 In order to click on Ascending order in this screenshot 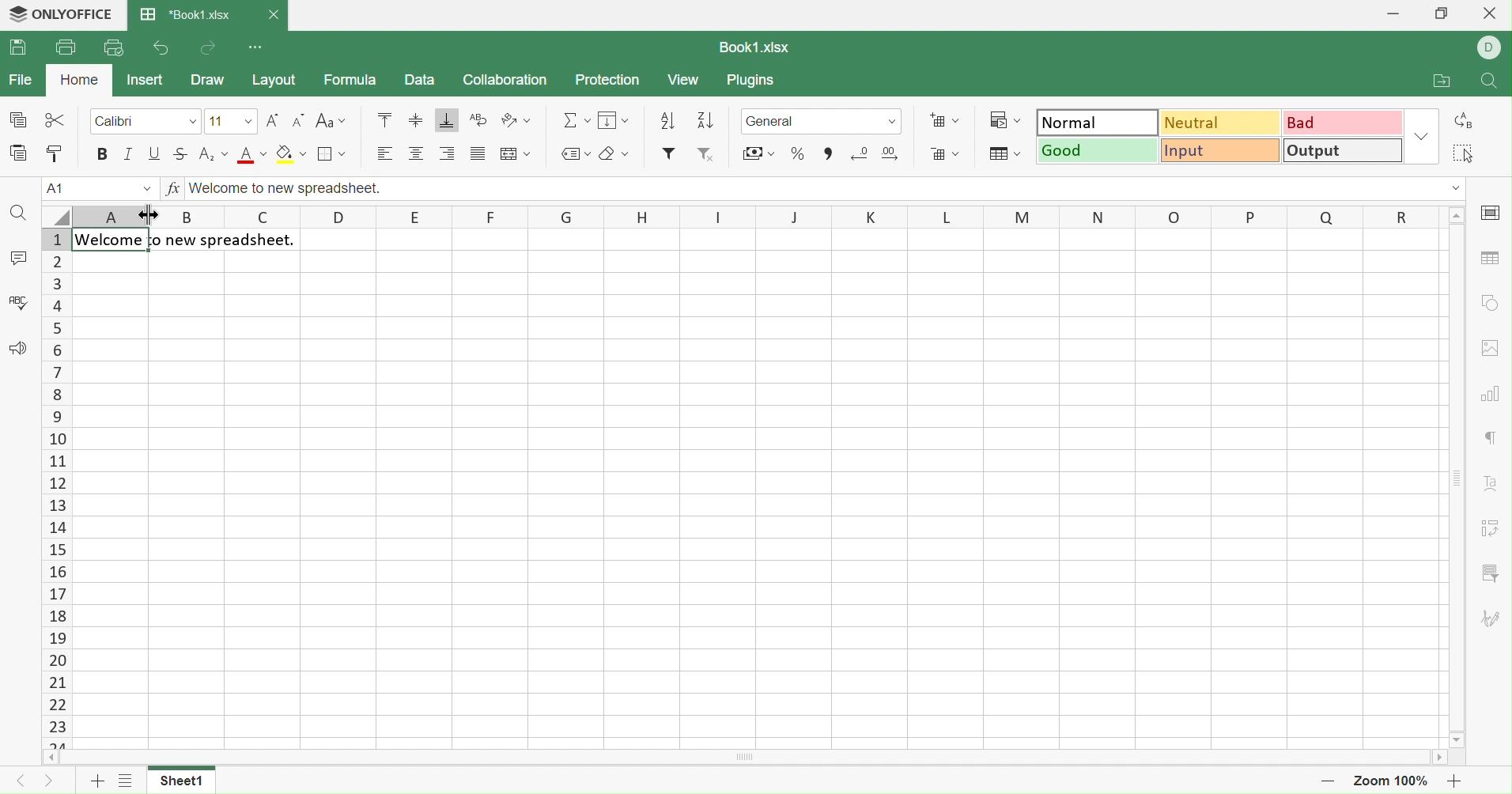, I will do `click(667, 121)`.